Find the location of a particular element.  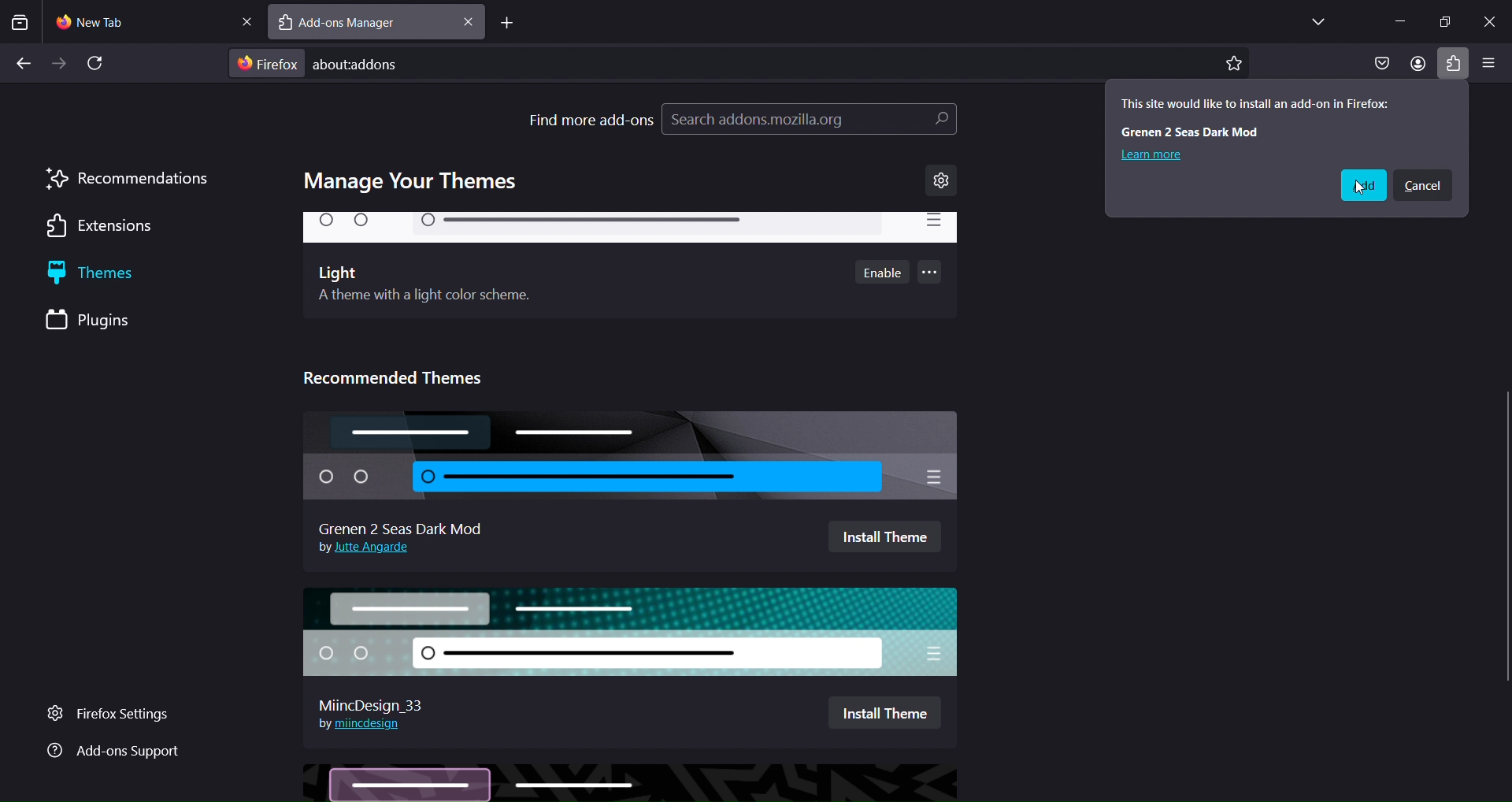

install theme is located at coordinates (884, 710).